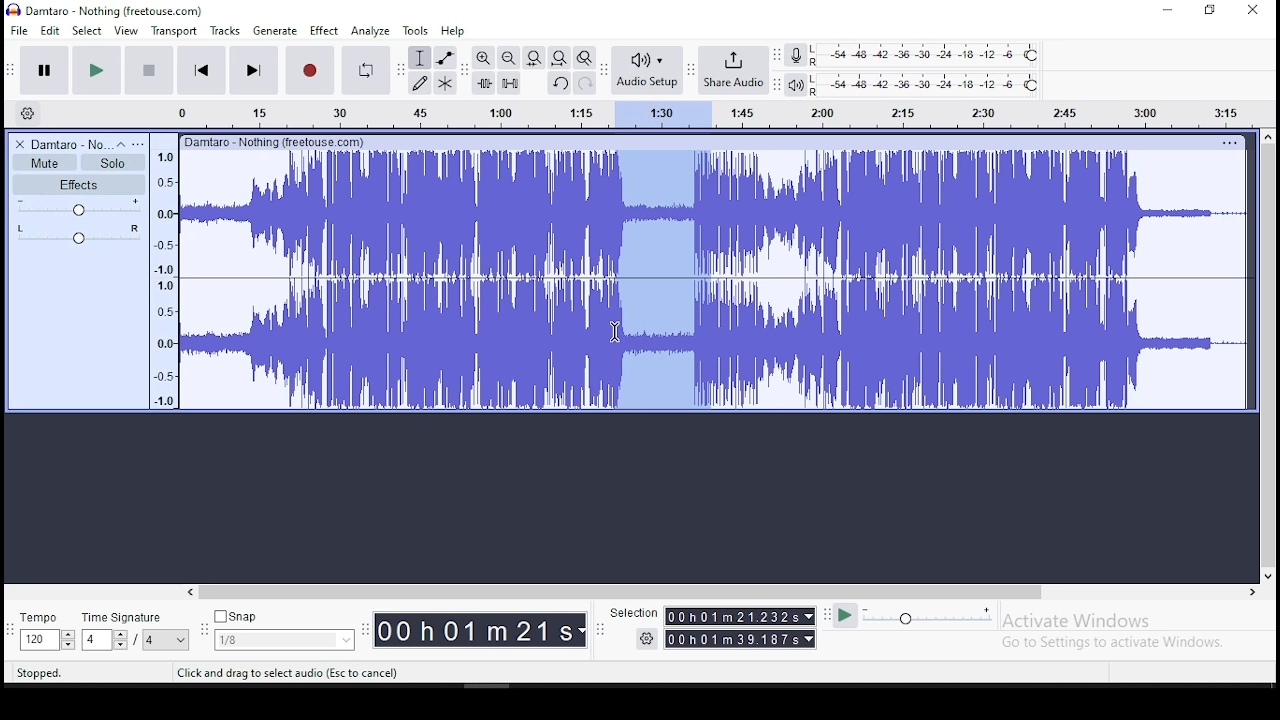 The height and width of the screenshot is (720, 1280). What do you see at coordinates (929, 615) in the screenshot?
I see `playback speed` at bounding box center [929, 615].